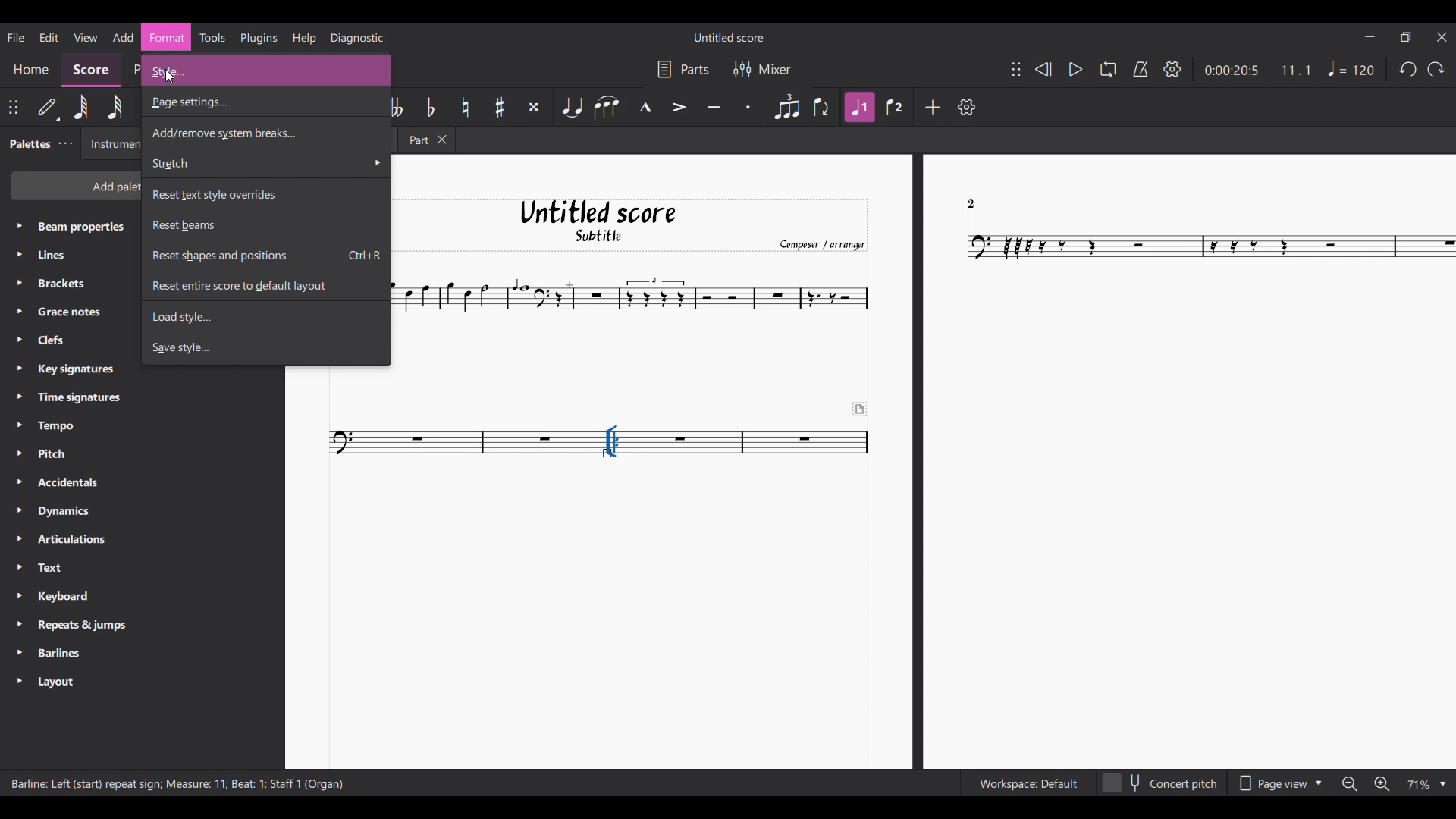 The height and width of the screenshot is (819, 1456). I want to click on Minimize, so click(1370, 36).